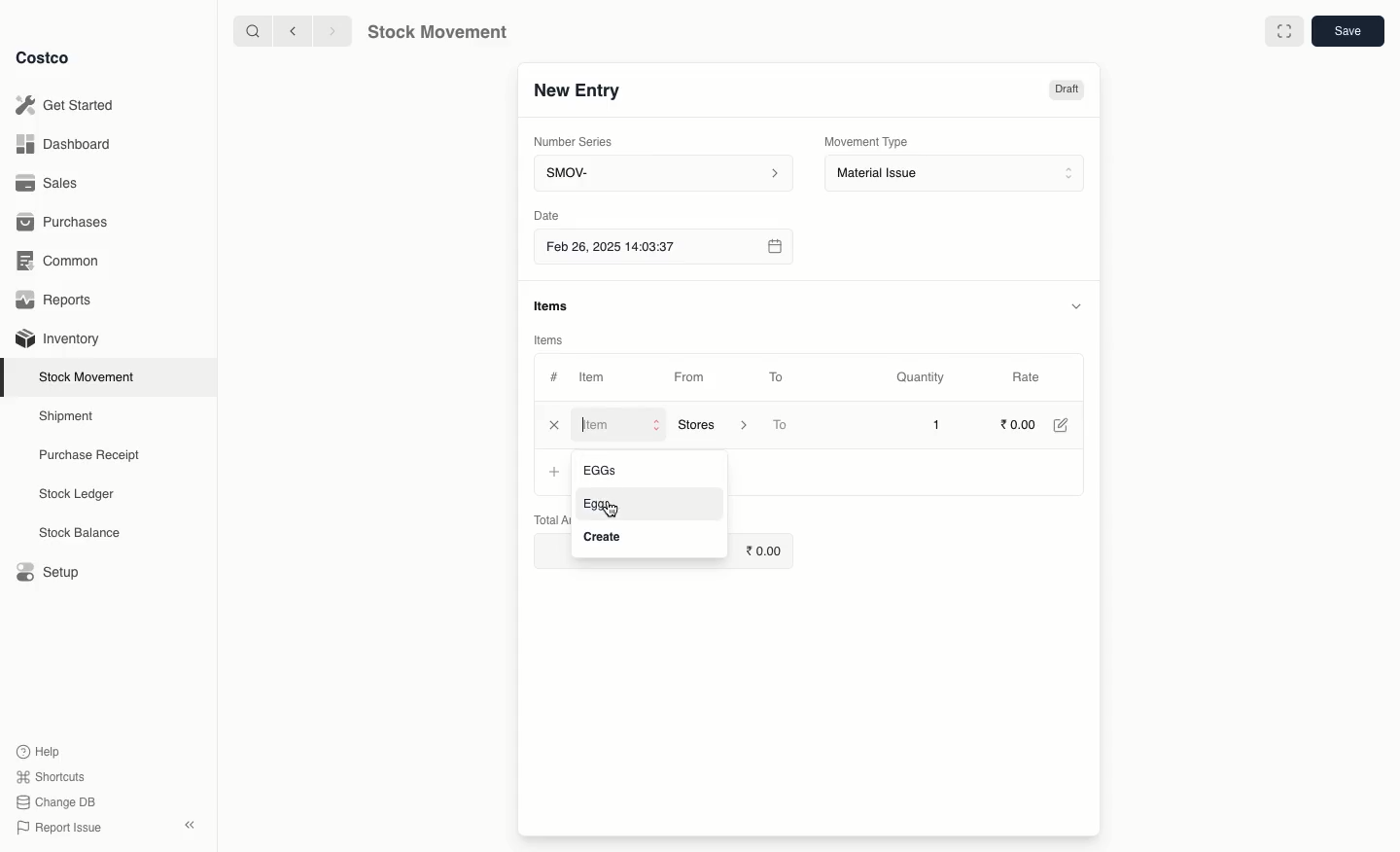 The height and width of the screenshot is (852, 1400). I want to click on Shortcuts, so click(51, 774).